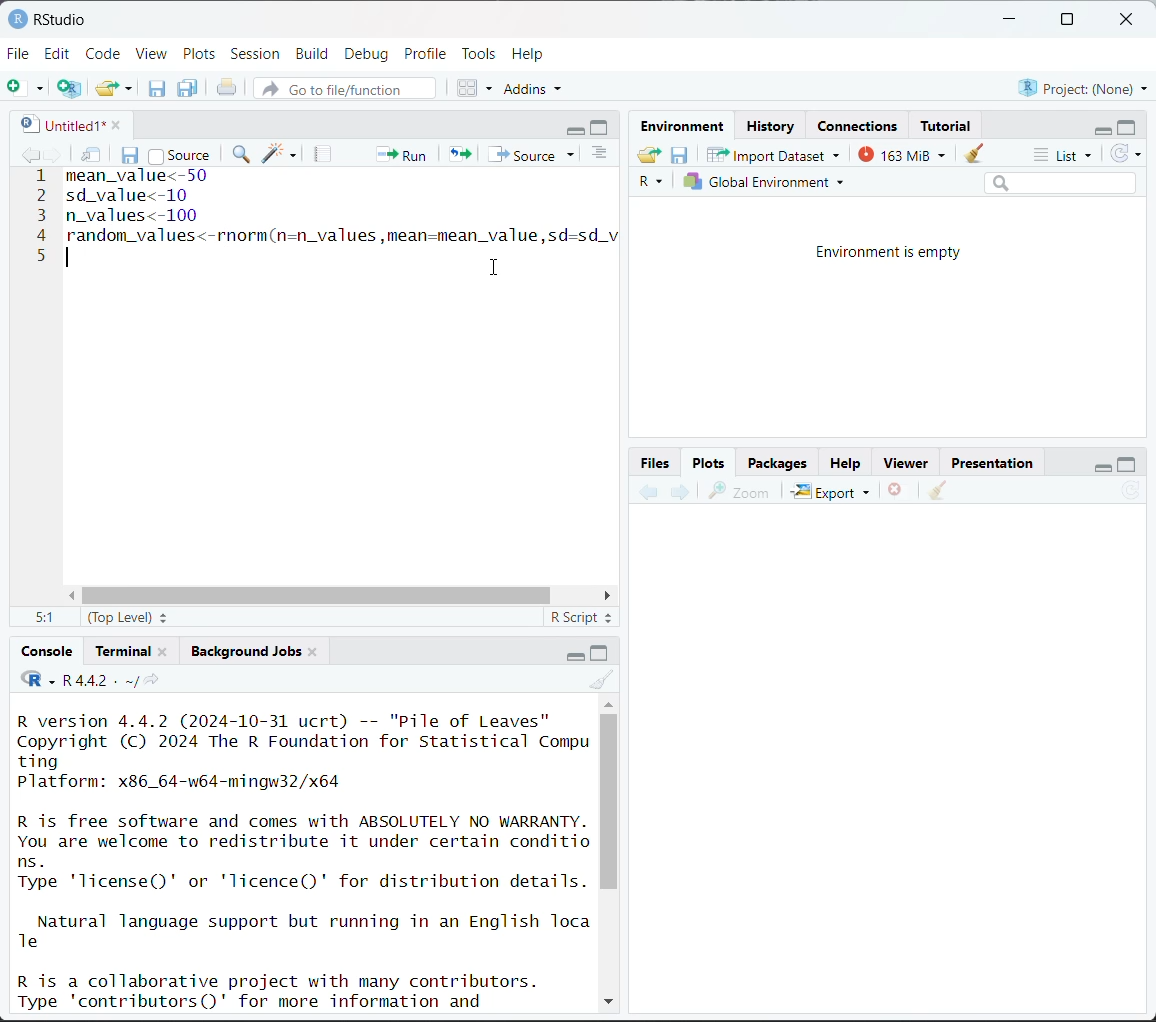  What do you see at coordinates (141, 177) in the screenshot?
I see `meanvalue<-50` at bounding box center [141, 177].